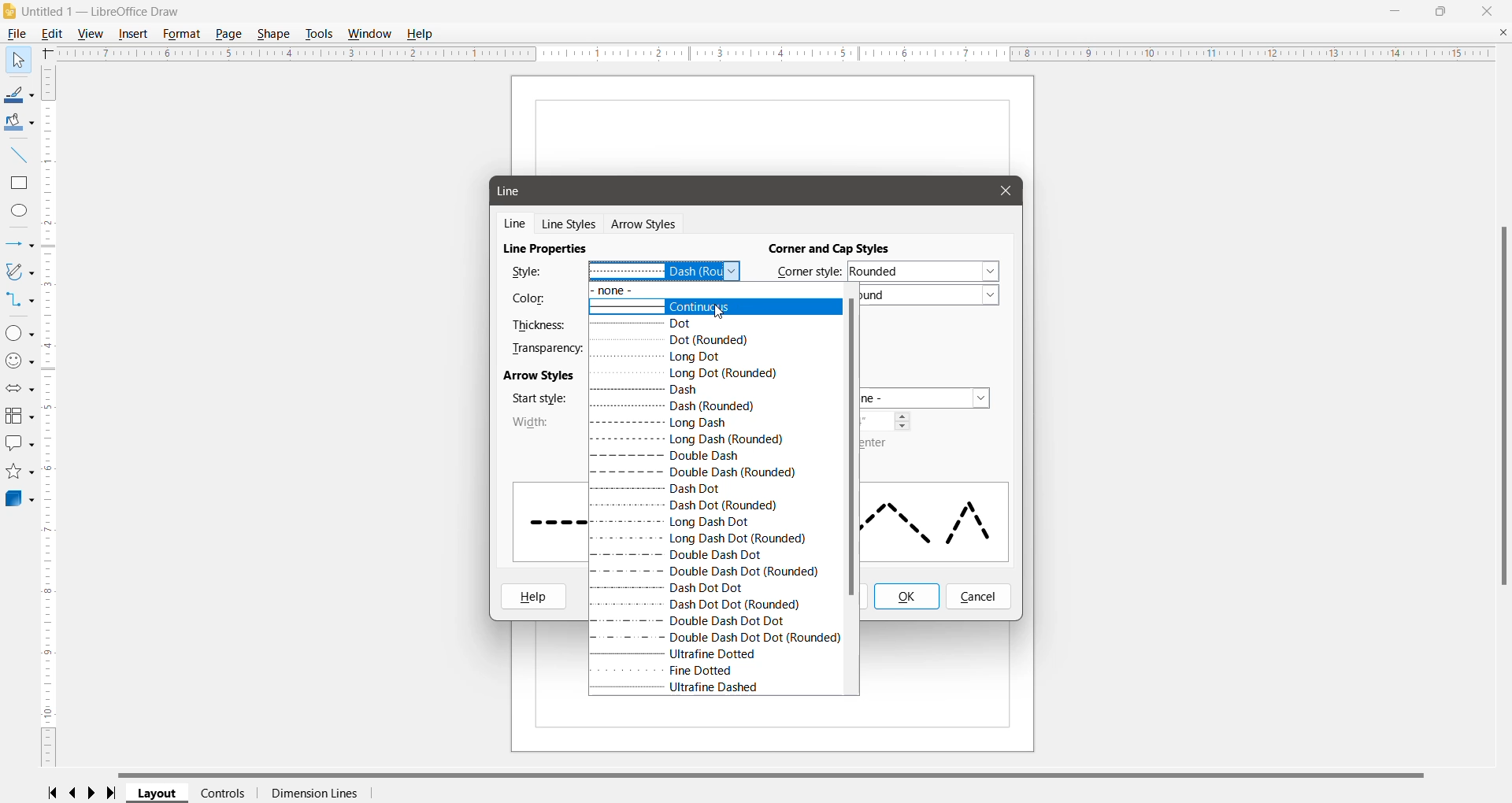  I want to click on Scroll to first page, so click(54, 793).